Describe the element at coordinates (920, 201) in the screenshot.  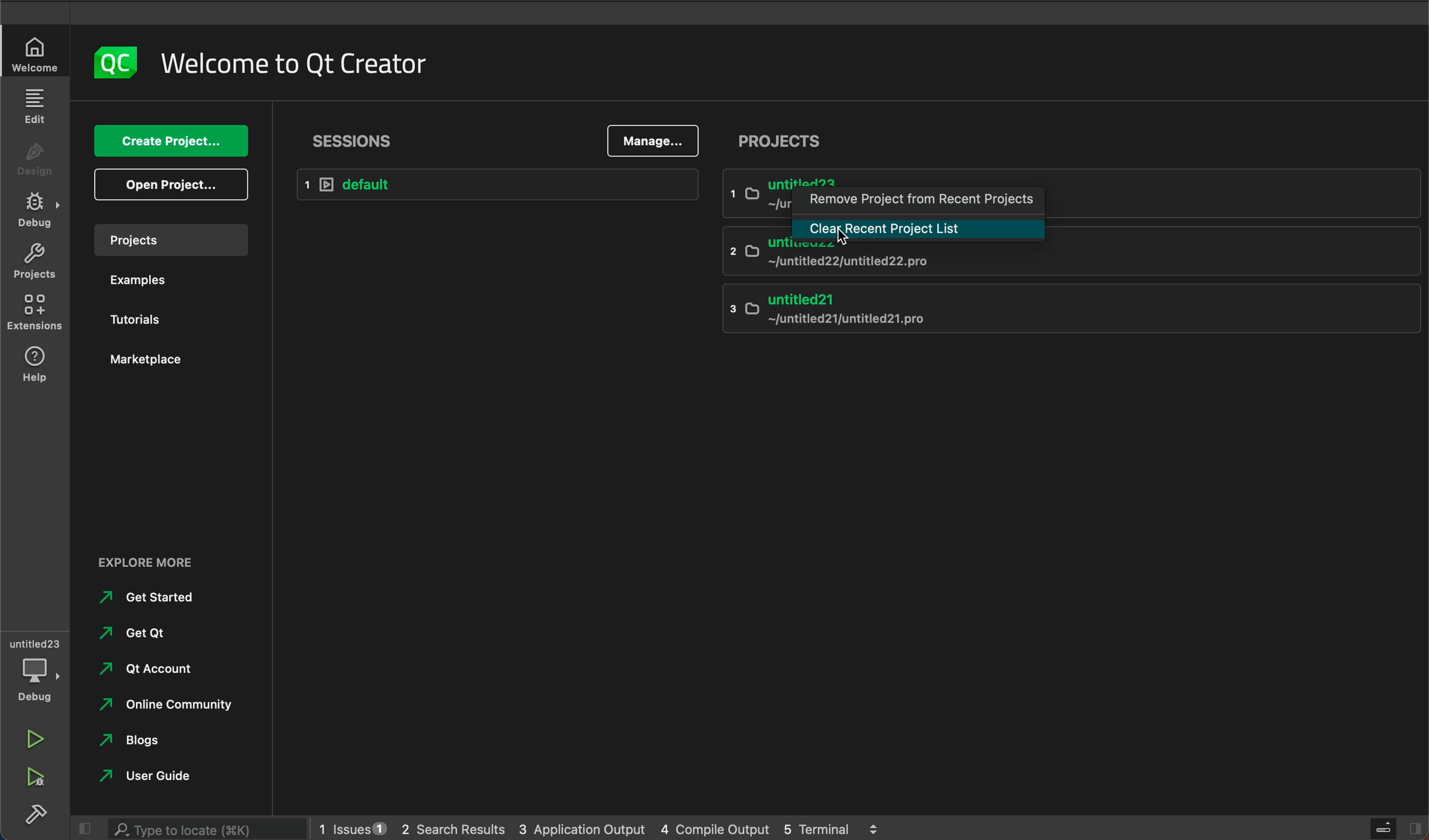
I see `remove project` at that location.